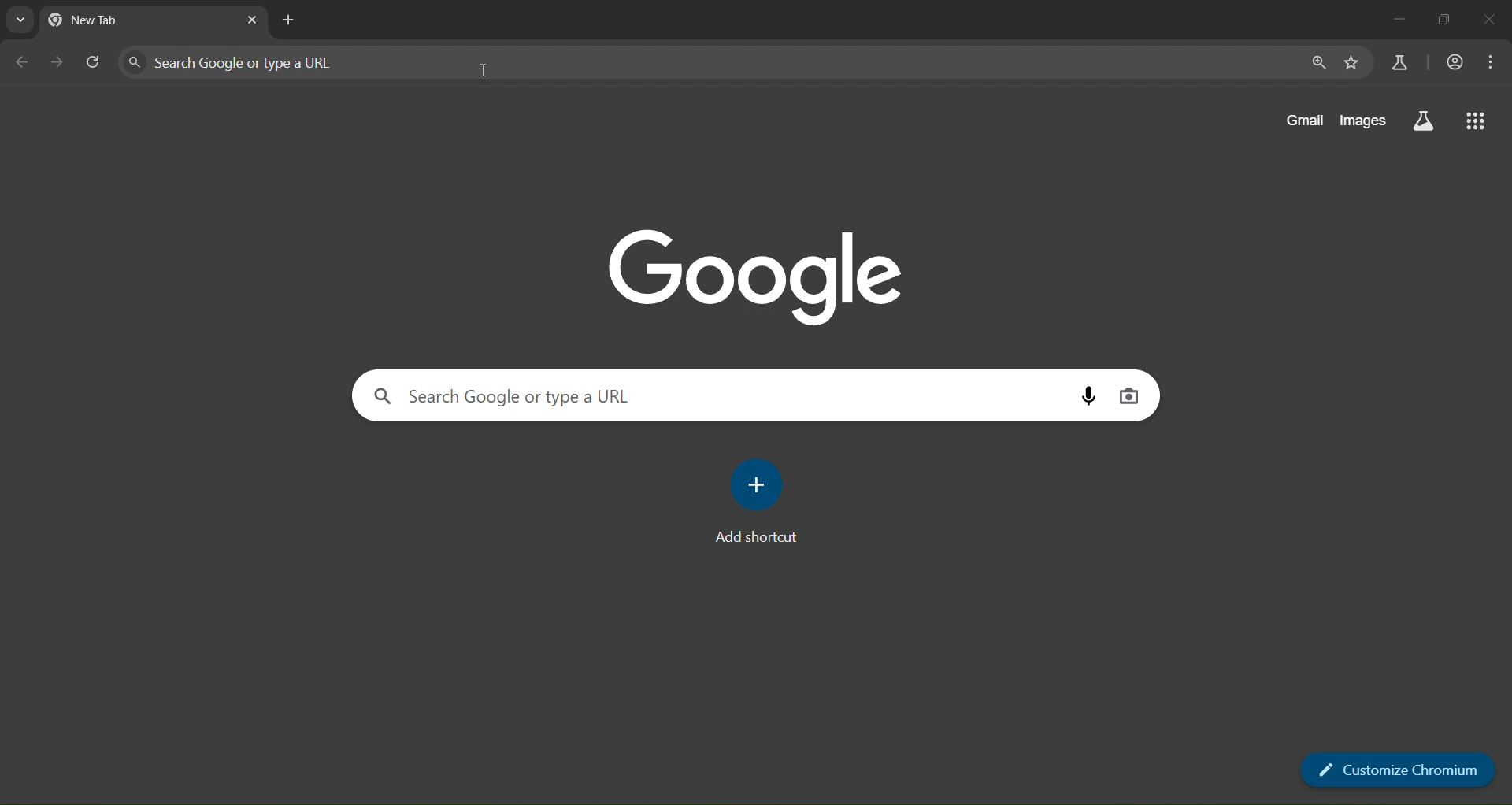  I want to click on go forward one page, so click(57, 63).